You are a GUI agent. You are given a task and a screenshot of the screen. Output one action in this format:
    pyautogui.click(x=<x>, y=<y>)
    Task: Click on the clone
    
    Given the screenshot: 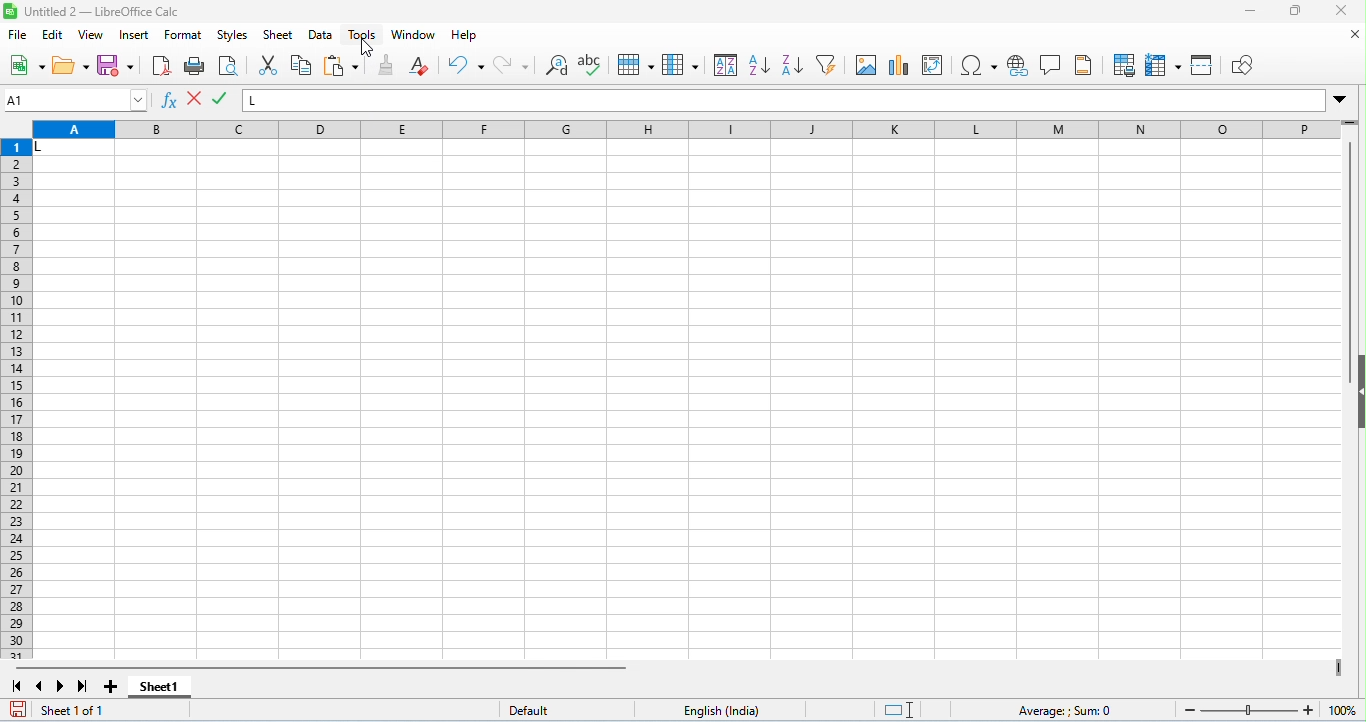 What is the action you would take?
    pyautogui.click(x=388, y=64)
    